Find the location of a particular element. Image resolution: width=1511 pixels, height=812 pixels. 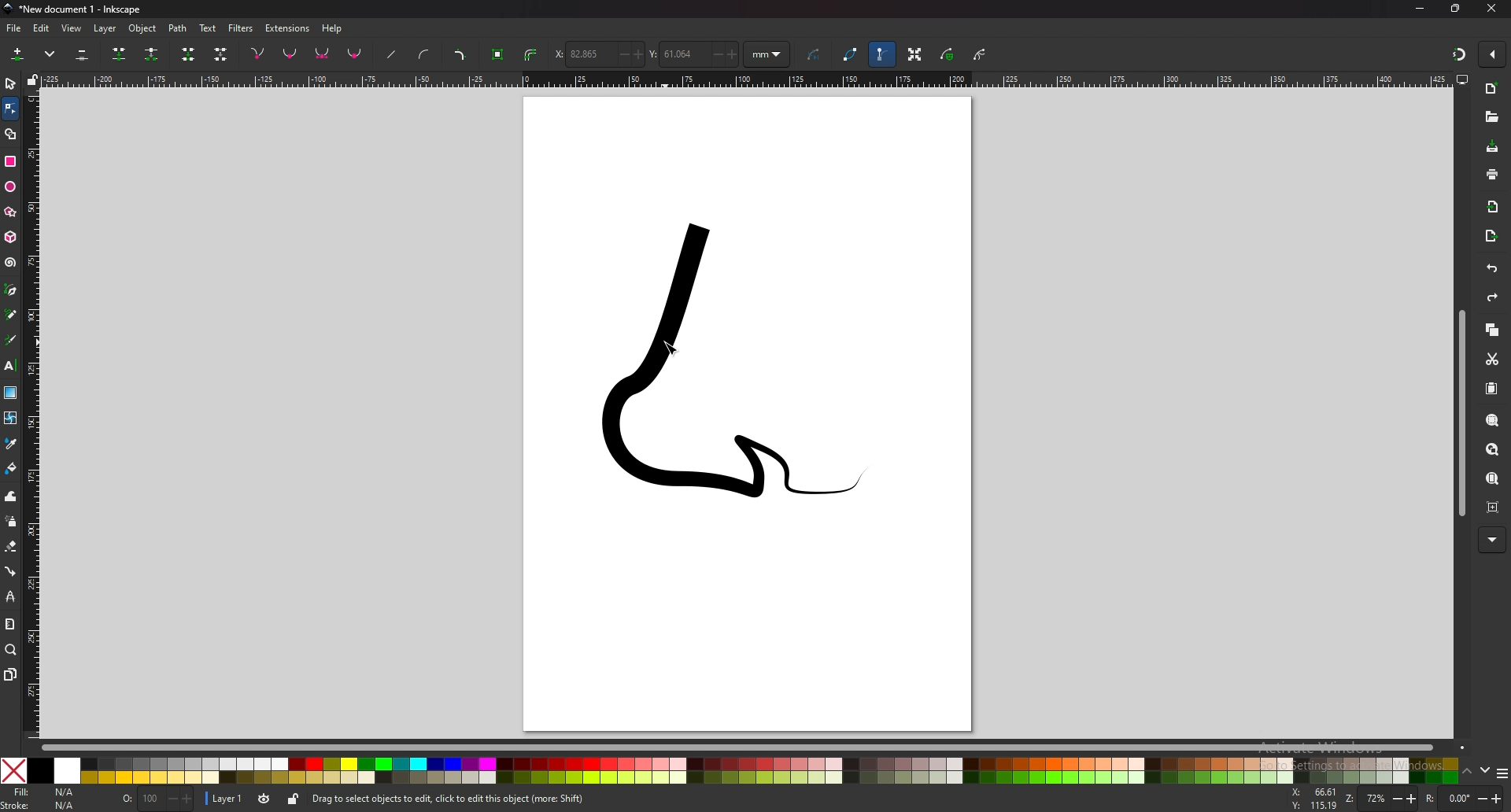

break path at selected nodes is located at coordinates (151, 55).